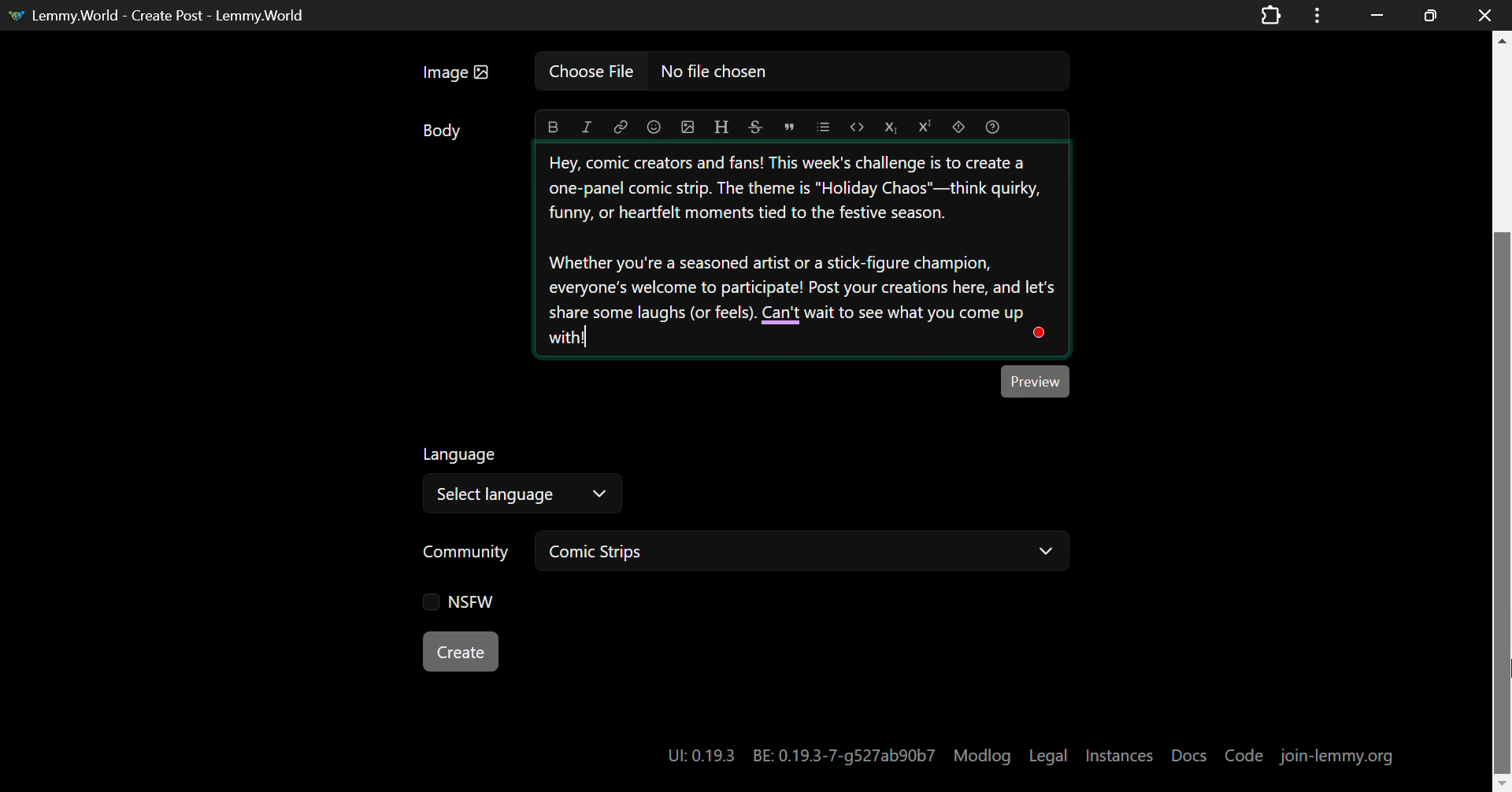  I want to click on spoiler, so click(962, 127).